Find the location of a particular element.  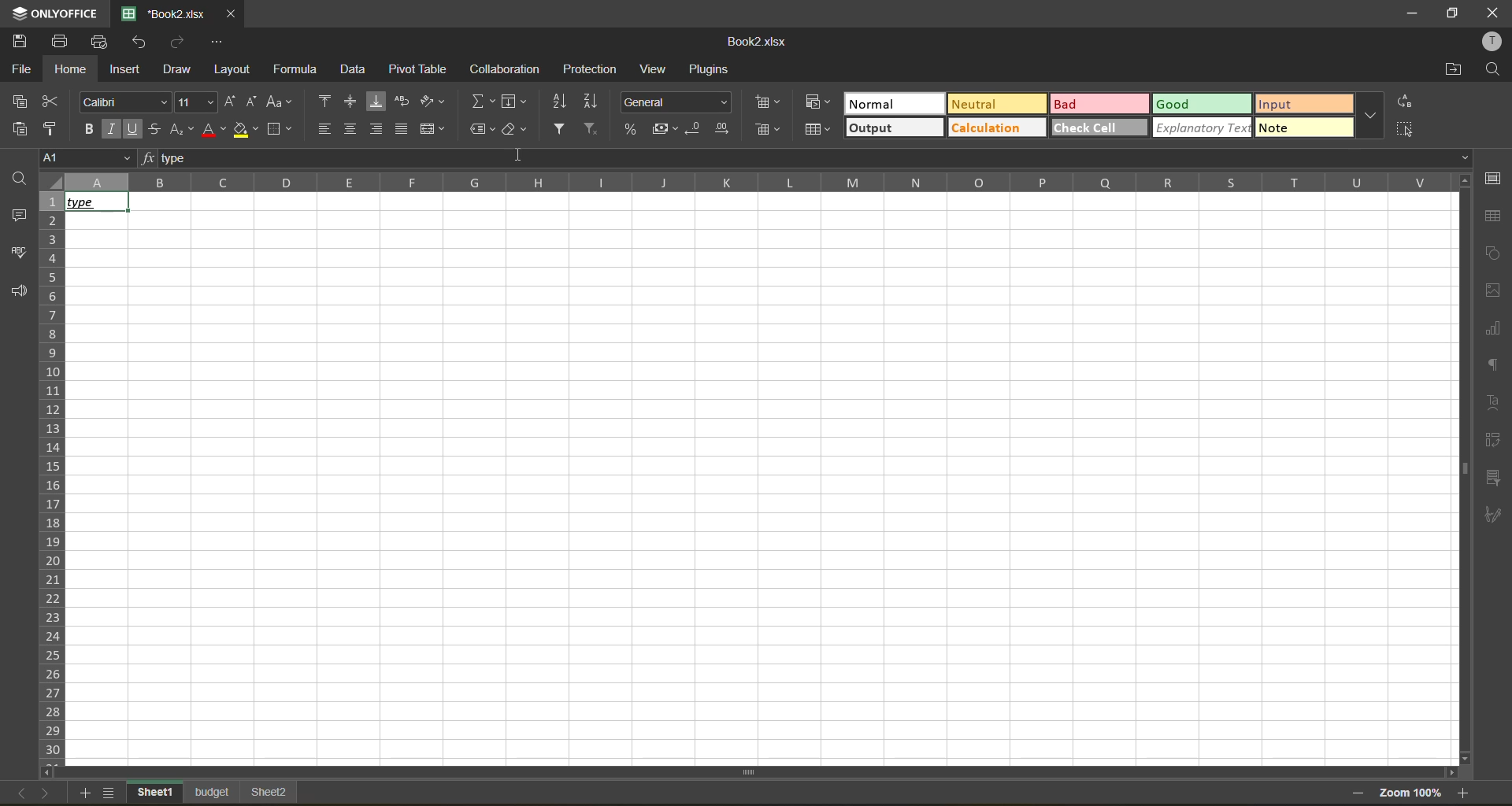

charts is located at coordinates (1492, 327).